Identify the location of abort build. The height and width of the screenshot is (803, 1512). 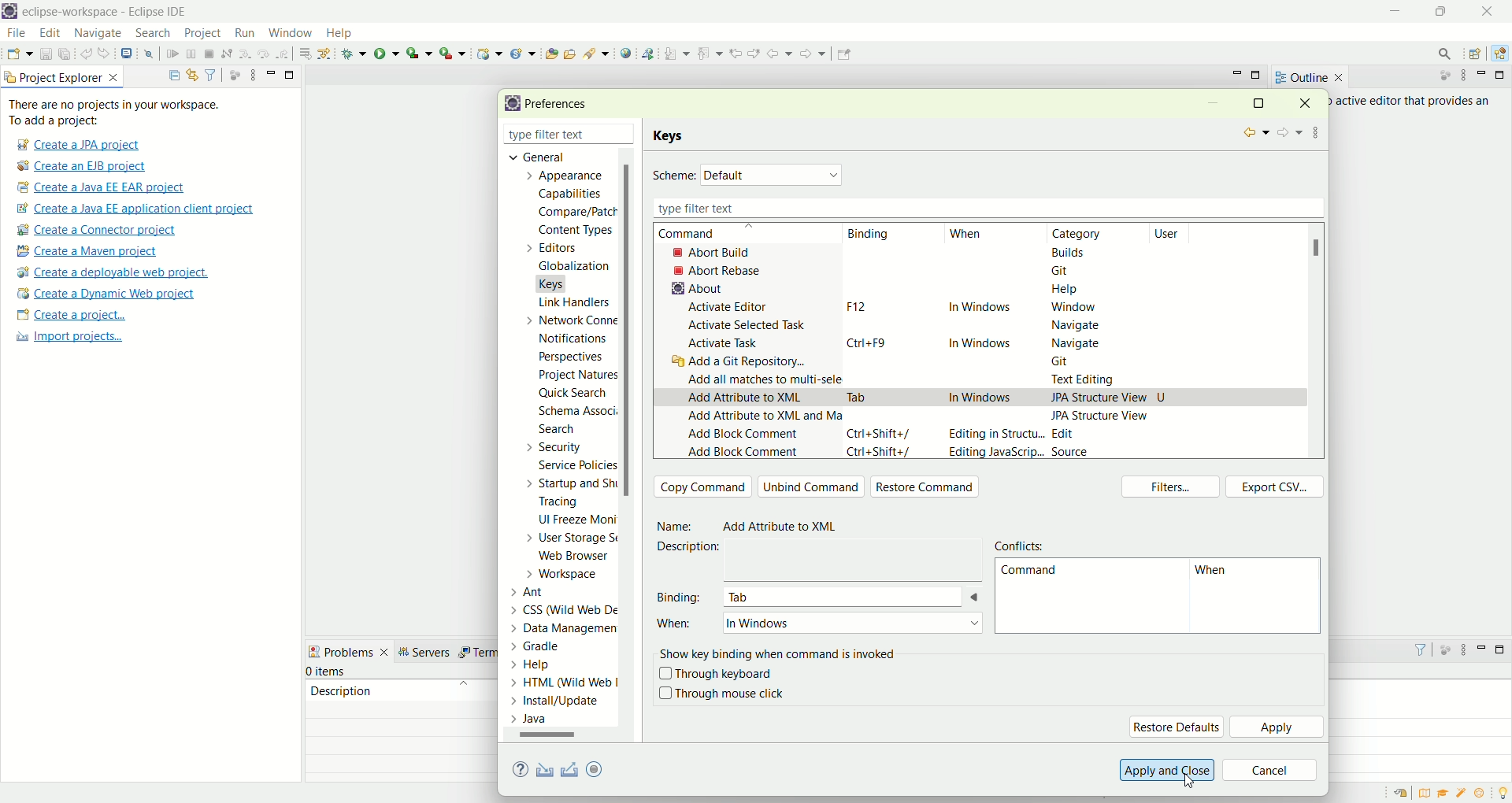
(725, 252).